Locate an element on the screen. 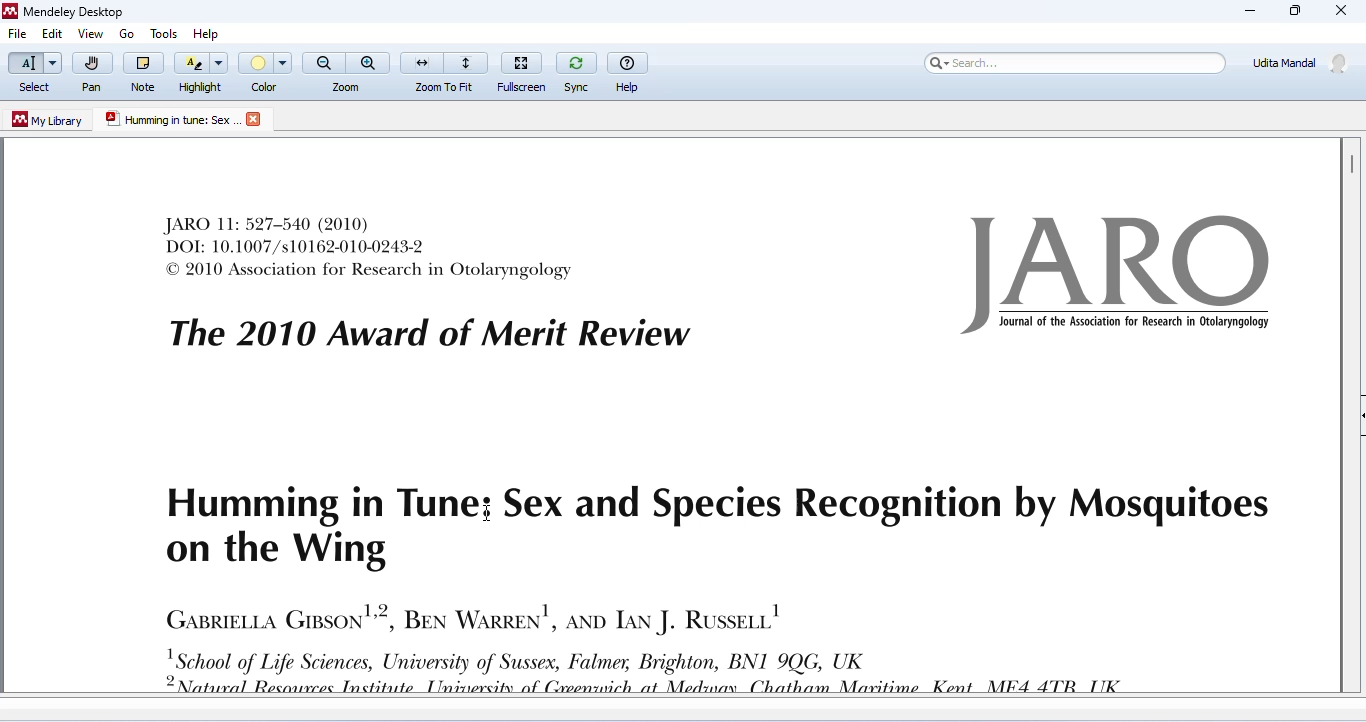 Image resolution: width=1366 pixels, height=722 pixels. help is located at coordinates (211, 30).